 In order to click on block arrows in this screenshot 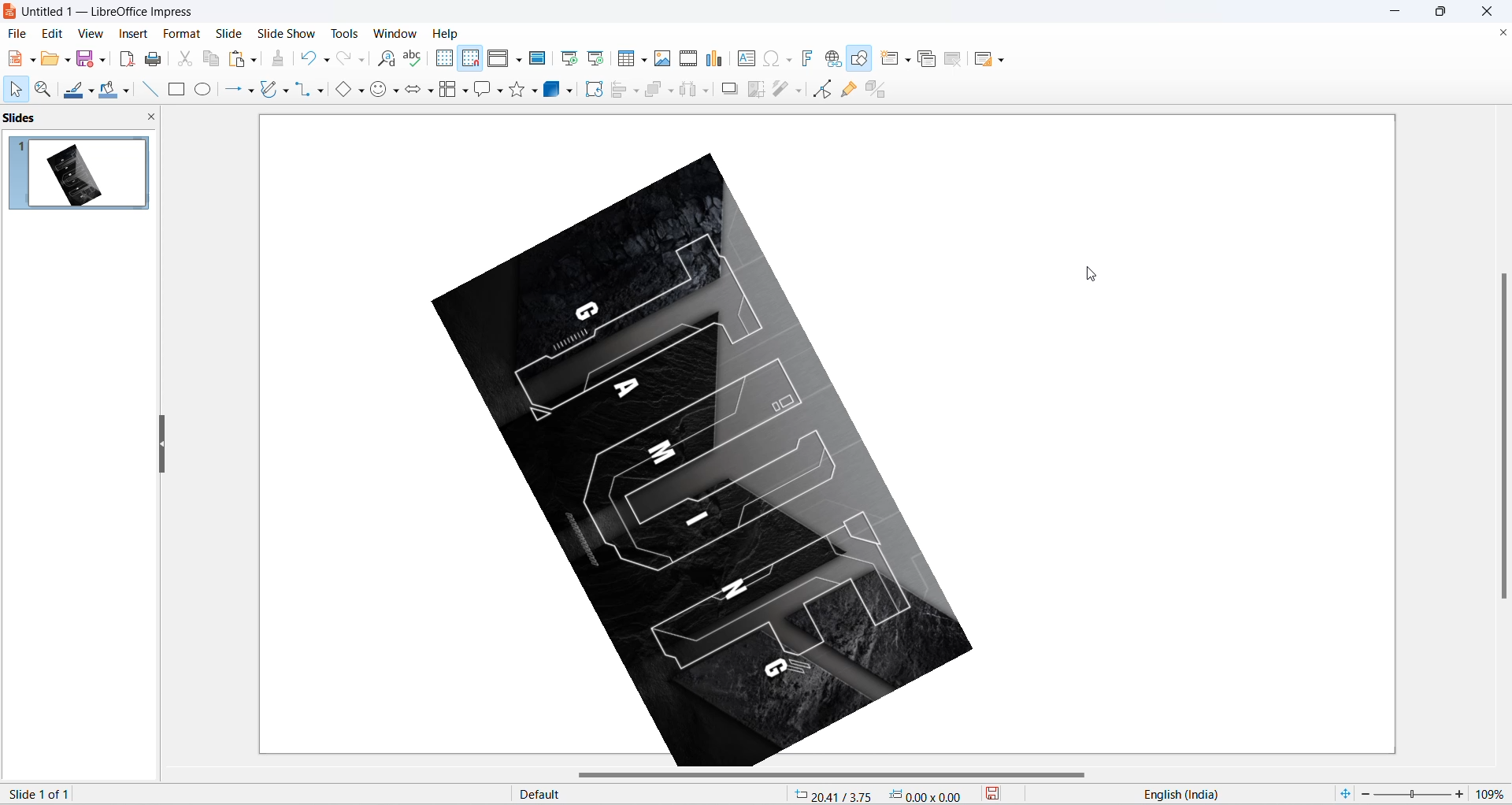, I will do `click(413, 92)`.